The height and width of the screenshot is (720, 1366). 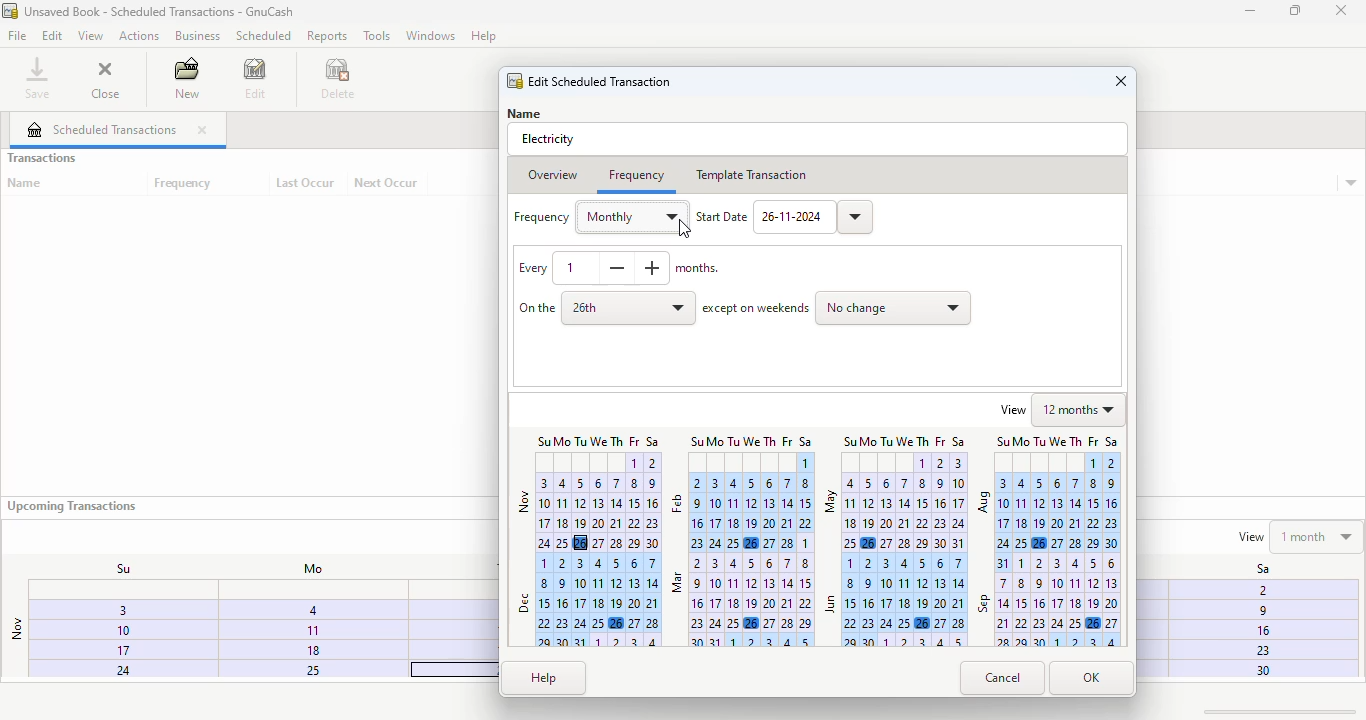 What do you see at coordinates (41, 158) in the screenshot?
I see `transactions` at bounding box center [41, 158].